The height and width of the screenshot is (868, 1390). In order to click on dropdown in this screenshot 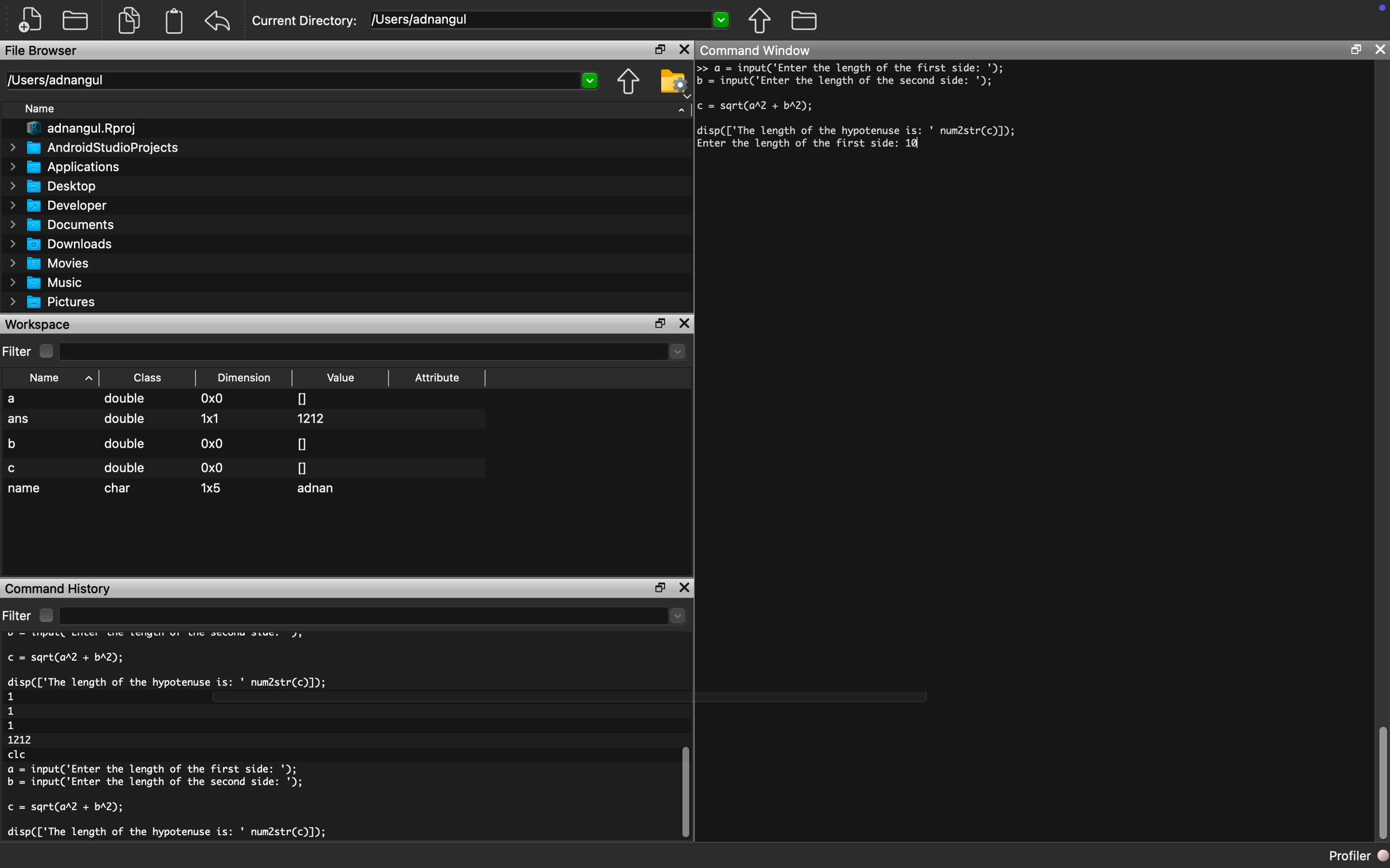, I will do `click(375, 617)`.